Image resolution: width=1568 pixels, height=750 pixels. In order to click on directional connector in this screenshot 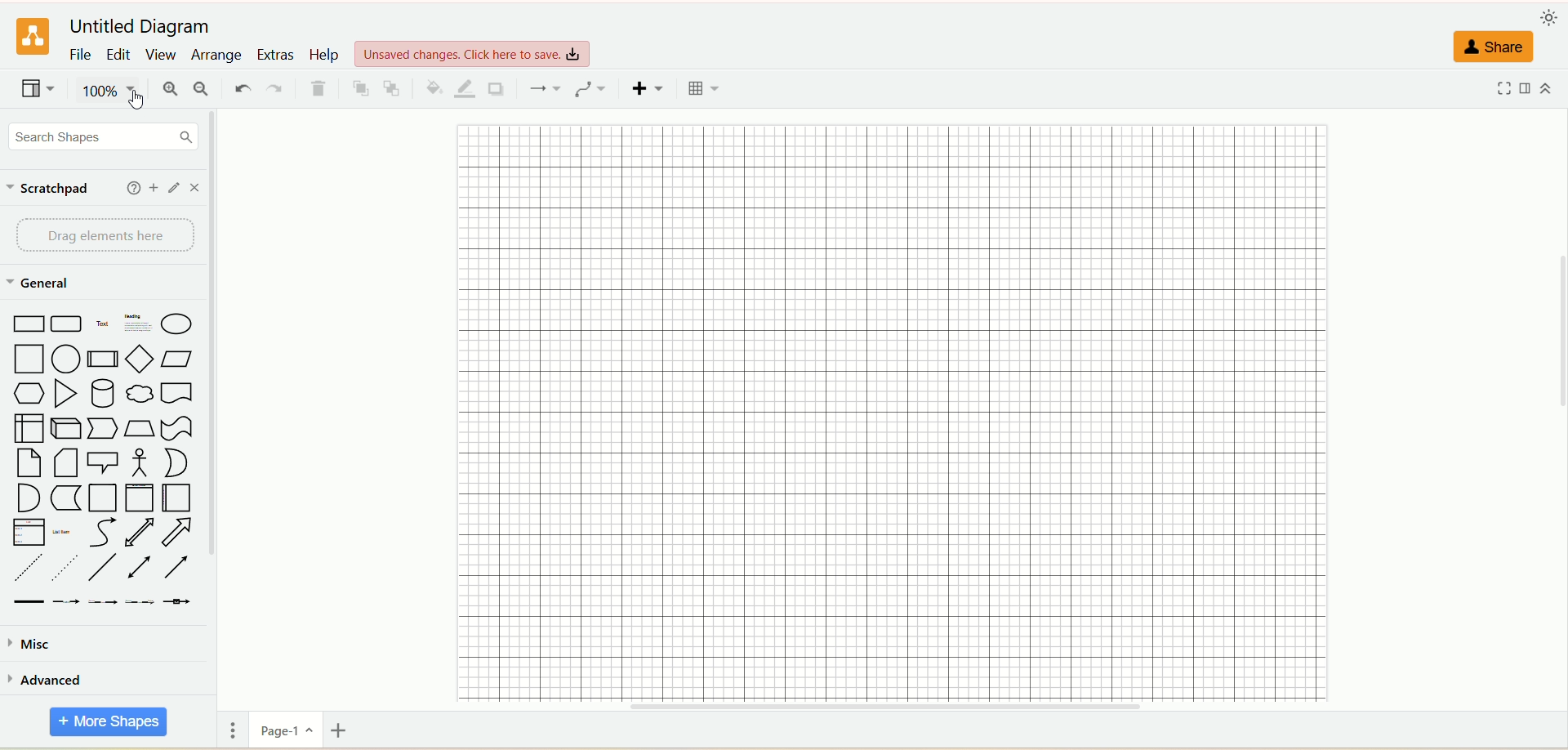, I will do `click(176, 567)`.